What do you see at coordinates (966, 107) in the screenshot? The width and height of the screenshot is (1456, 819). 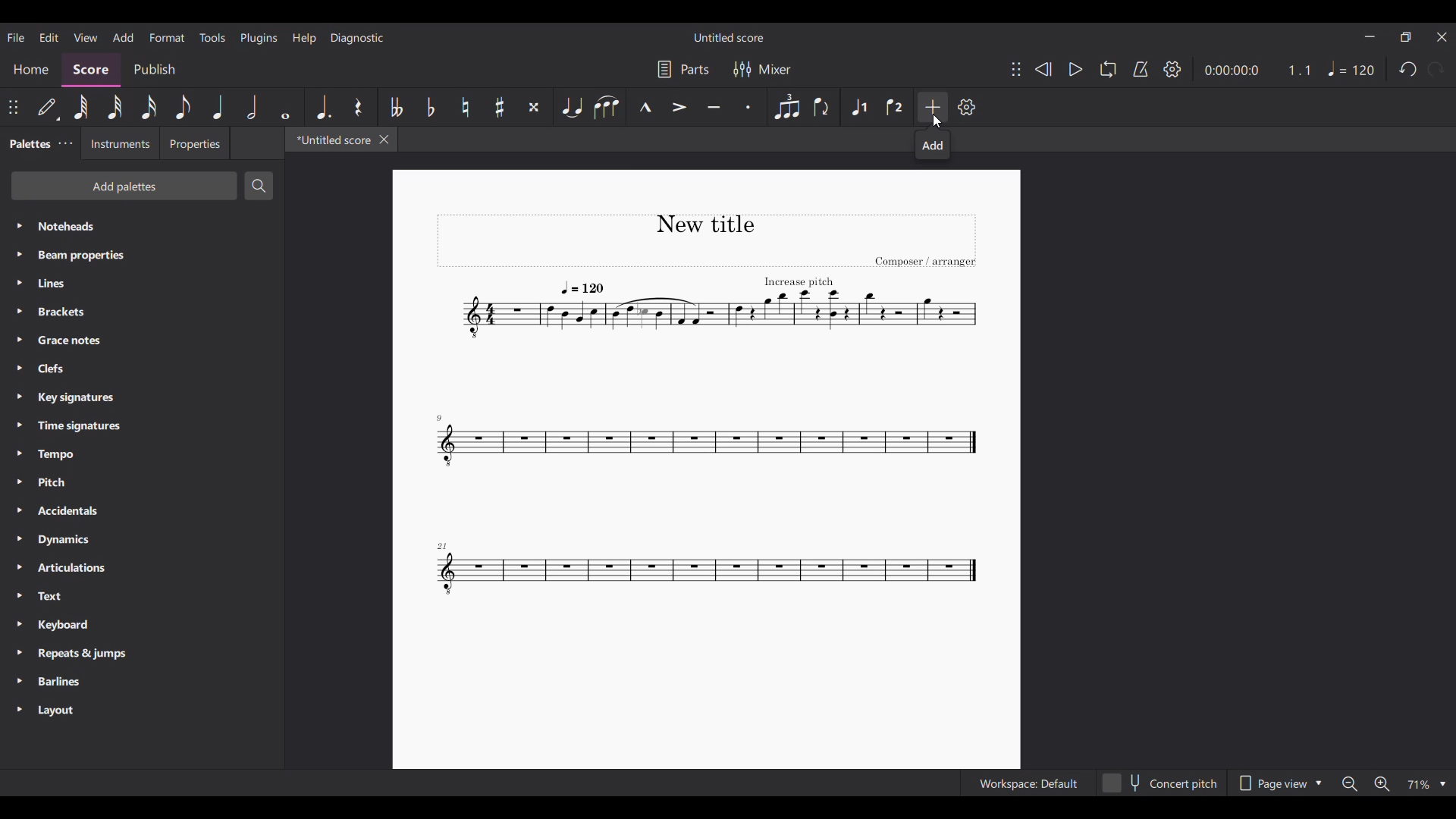 I see `Settings` at bounding box center [966, 107].